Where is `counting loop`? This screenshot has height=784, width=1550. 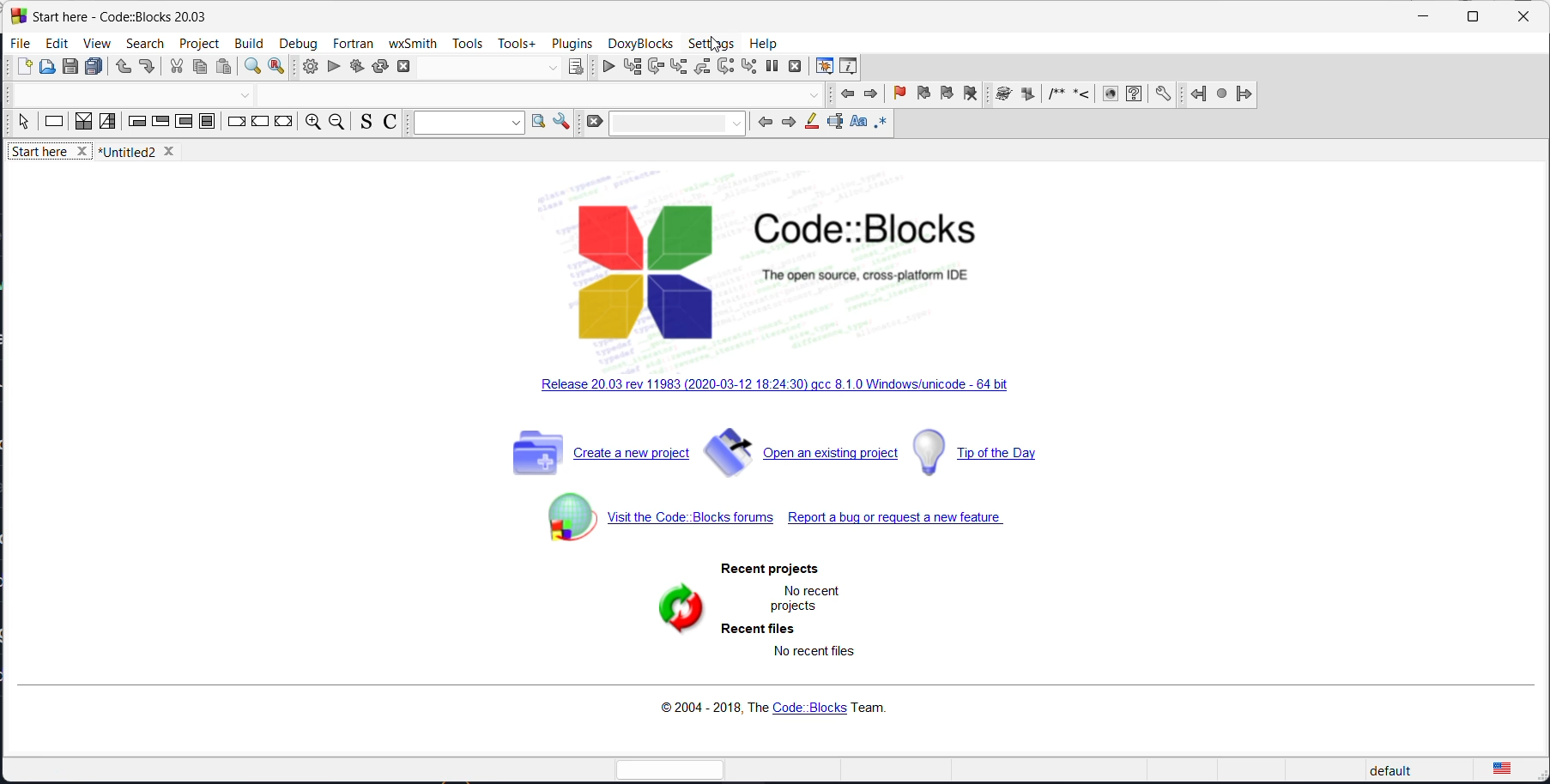 counting loop is located at coordinates (183, 124).